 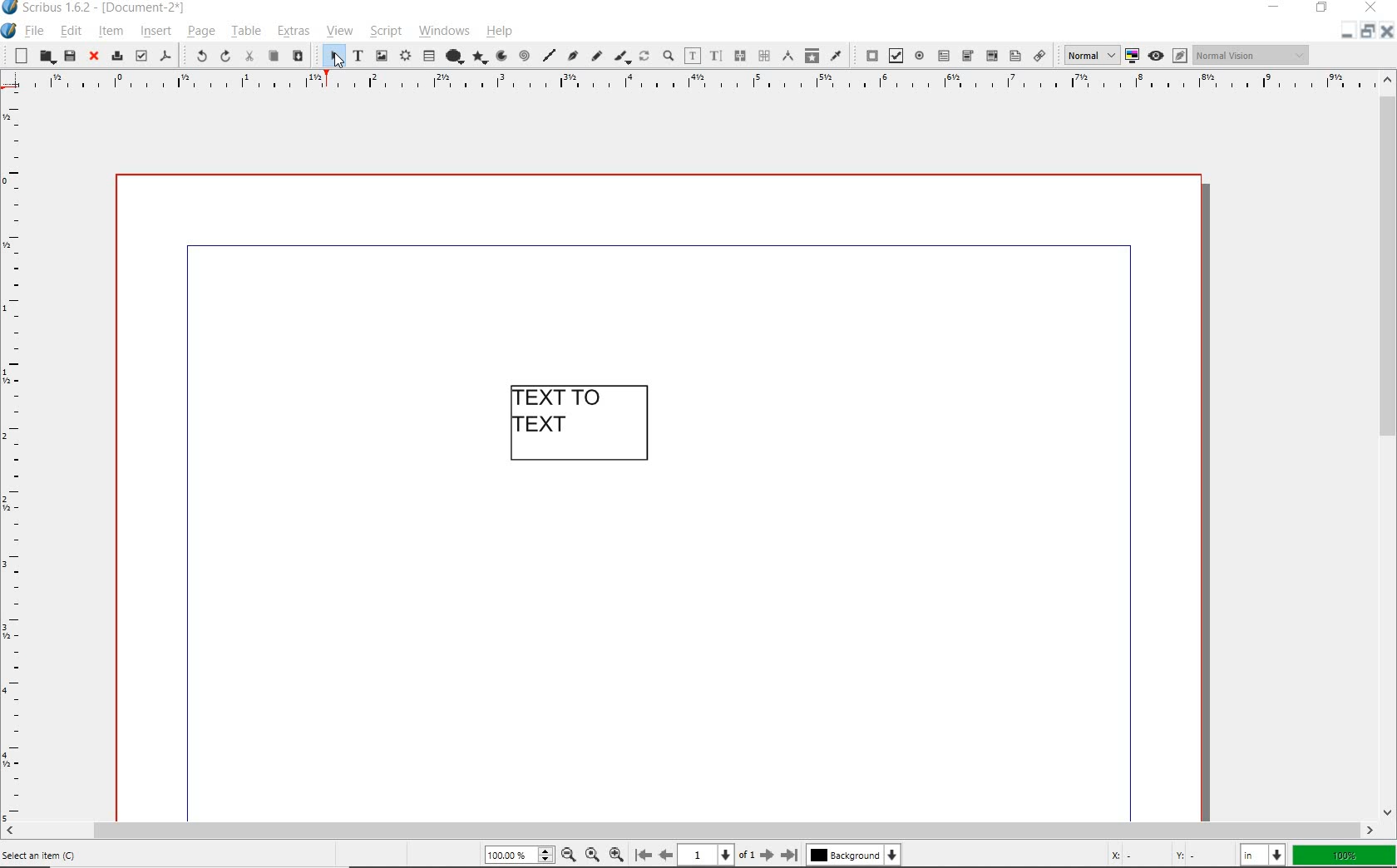 What do you see at coordinates (1370, 34) in the screenshot?
I see `restore` at bounding box center [1370, 34].